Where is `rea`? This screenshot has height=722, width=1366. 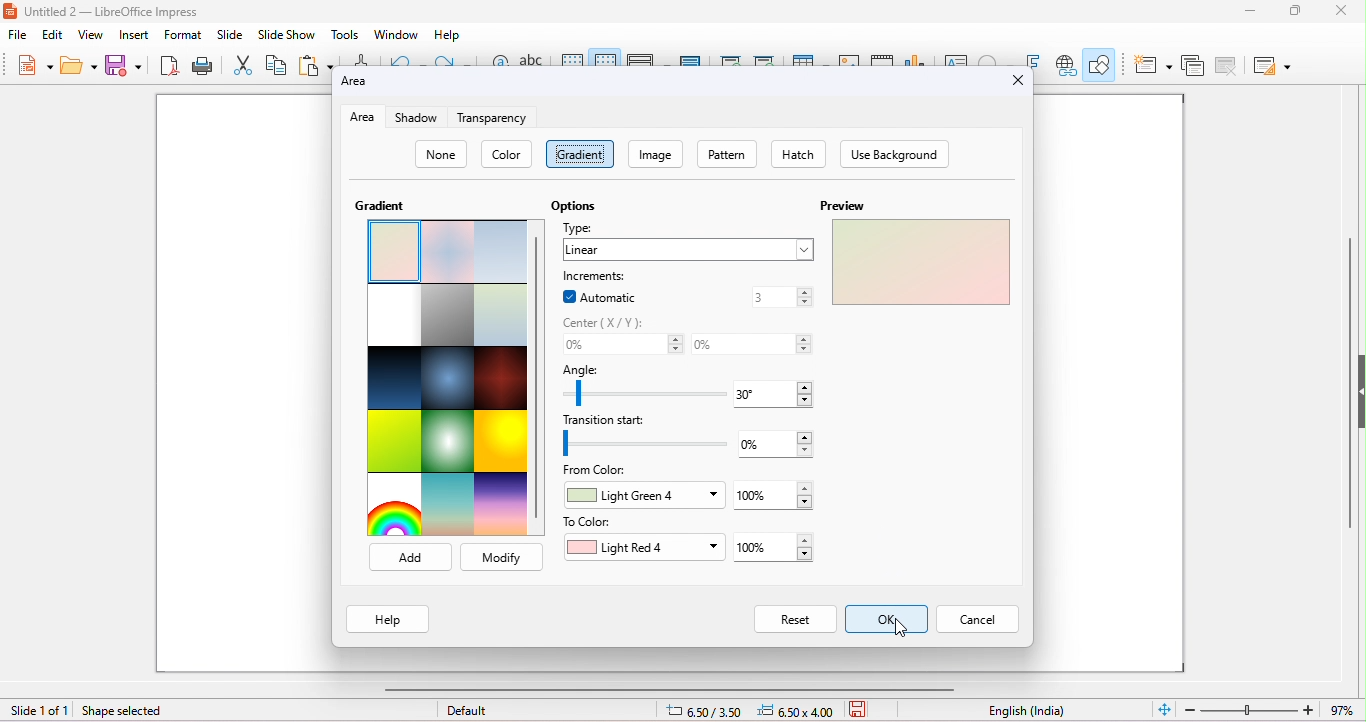
rea is located at coordinates (361, 118).